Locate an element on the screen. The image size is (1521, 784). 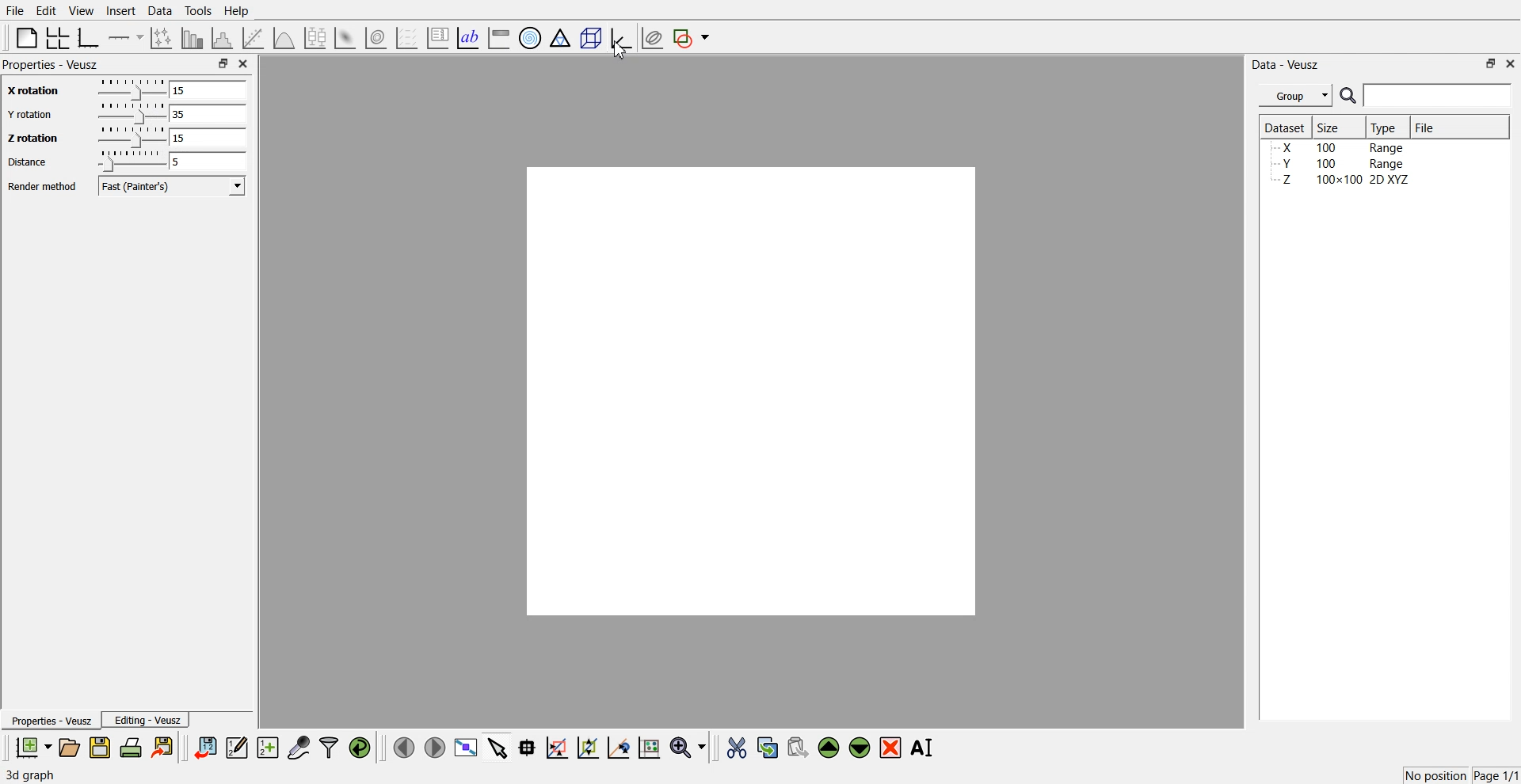
Distance is located at coordinates (27, 162).